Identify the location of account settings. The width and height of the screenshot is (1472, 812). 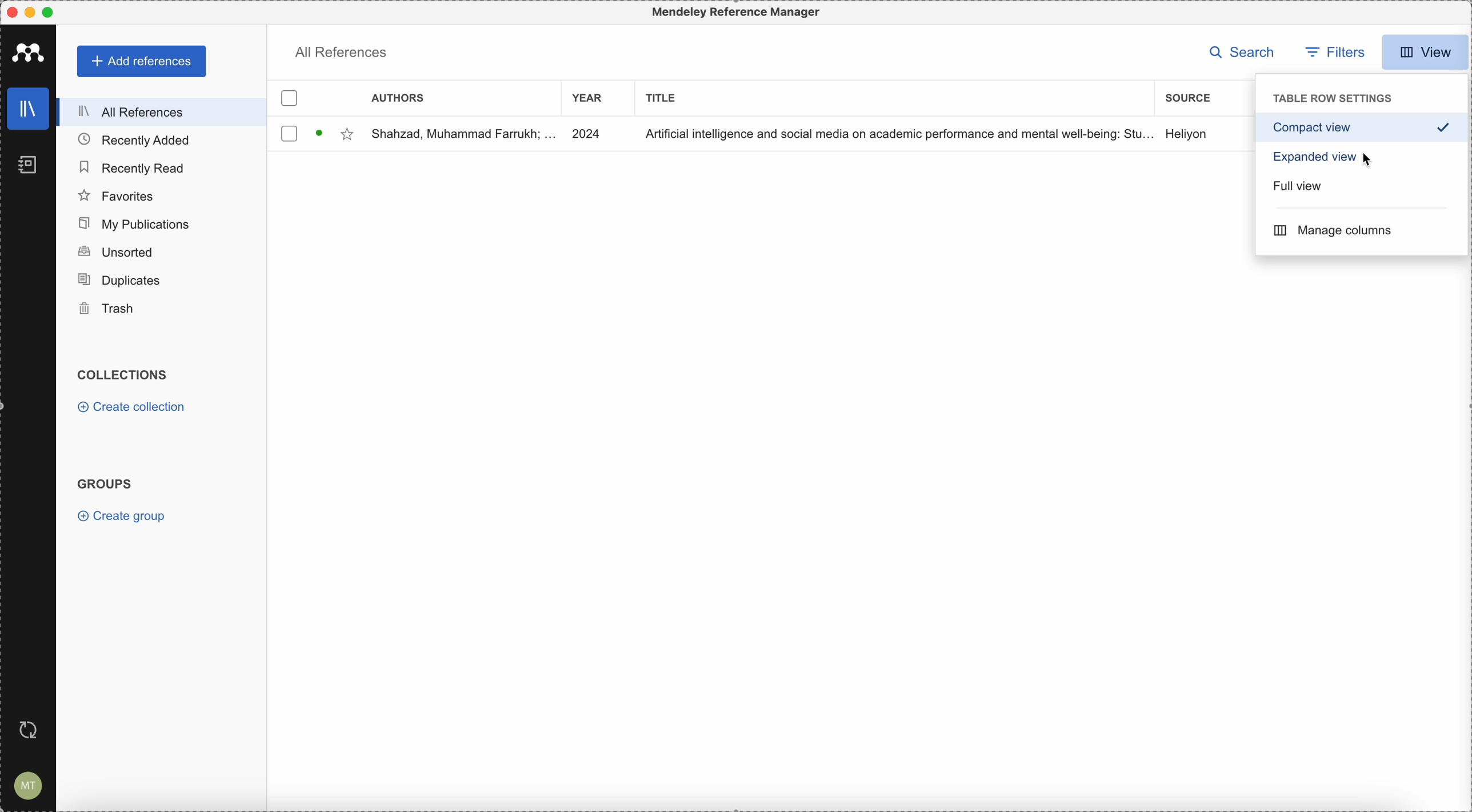
(30, 785).